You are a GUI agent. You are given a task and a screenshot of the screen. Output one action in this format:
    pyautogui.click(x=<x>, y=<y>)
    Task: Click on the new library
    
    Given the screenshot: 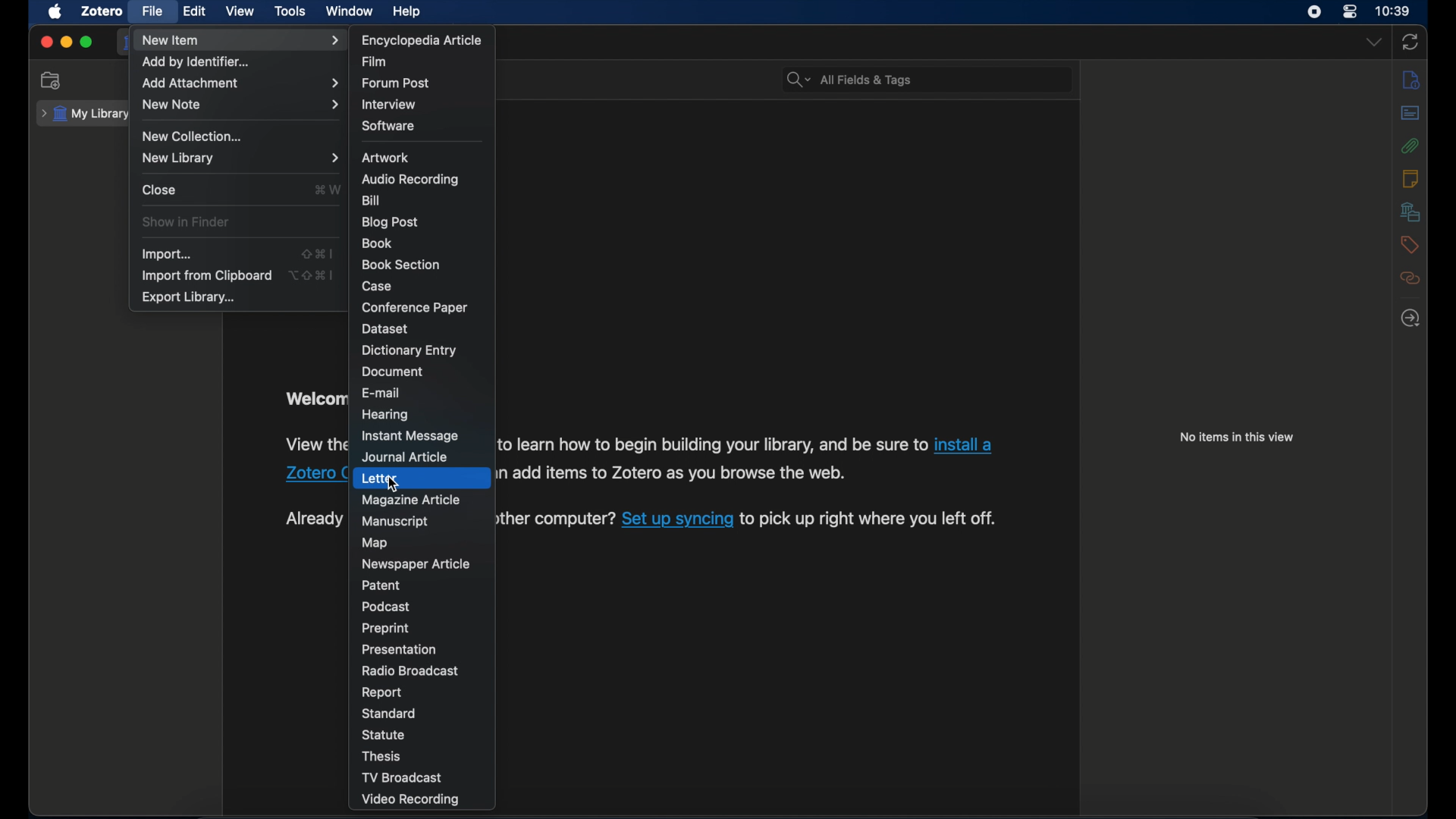 What is the action you would take?
    pyautogui.click(x=240, y=158)
    